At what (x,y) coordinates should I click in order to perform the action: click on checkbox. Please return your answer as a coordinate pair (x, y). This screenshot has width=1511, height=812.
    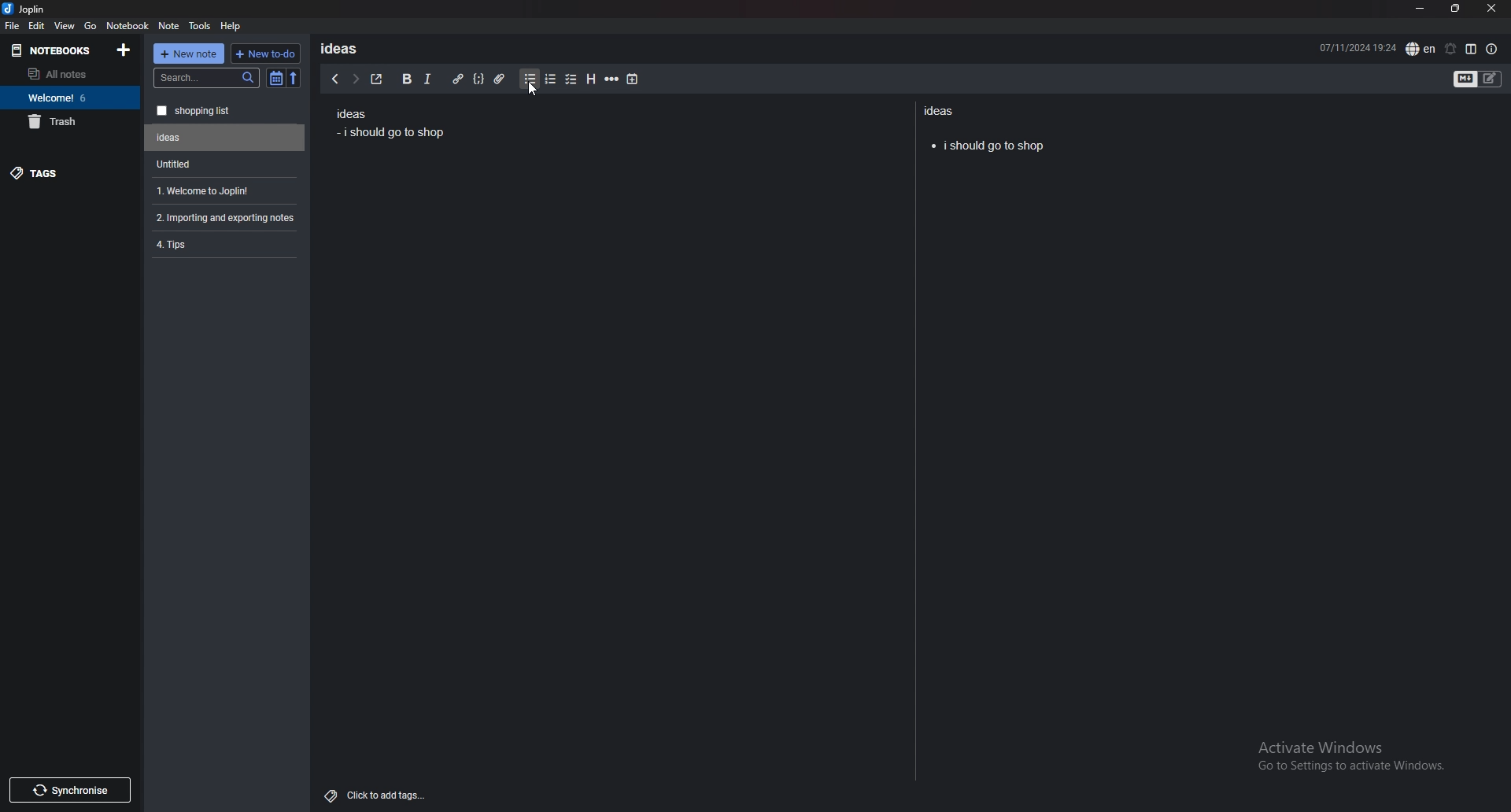
    Looking at the image, I should click on (571, 80).